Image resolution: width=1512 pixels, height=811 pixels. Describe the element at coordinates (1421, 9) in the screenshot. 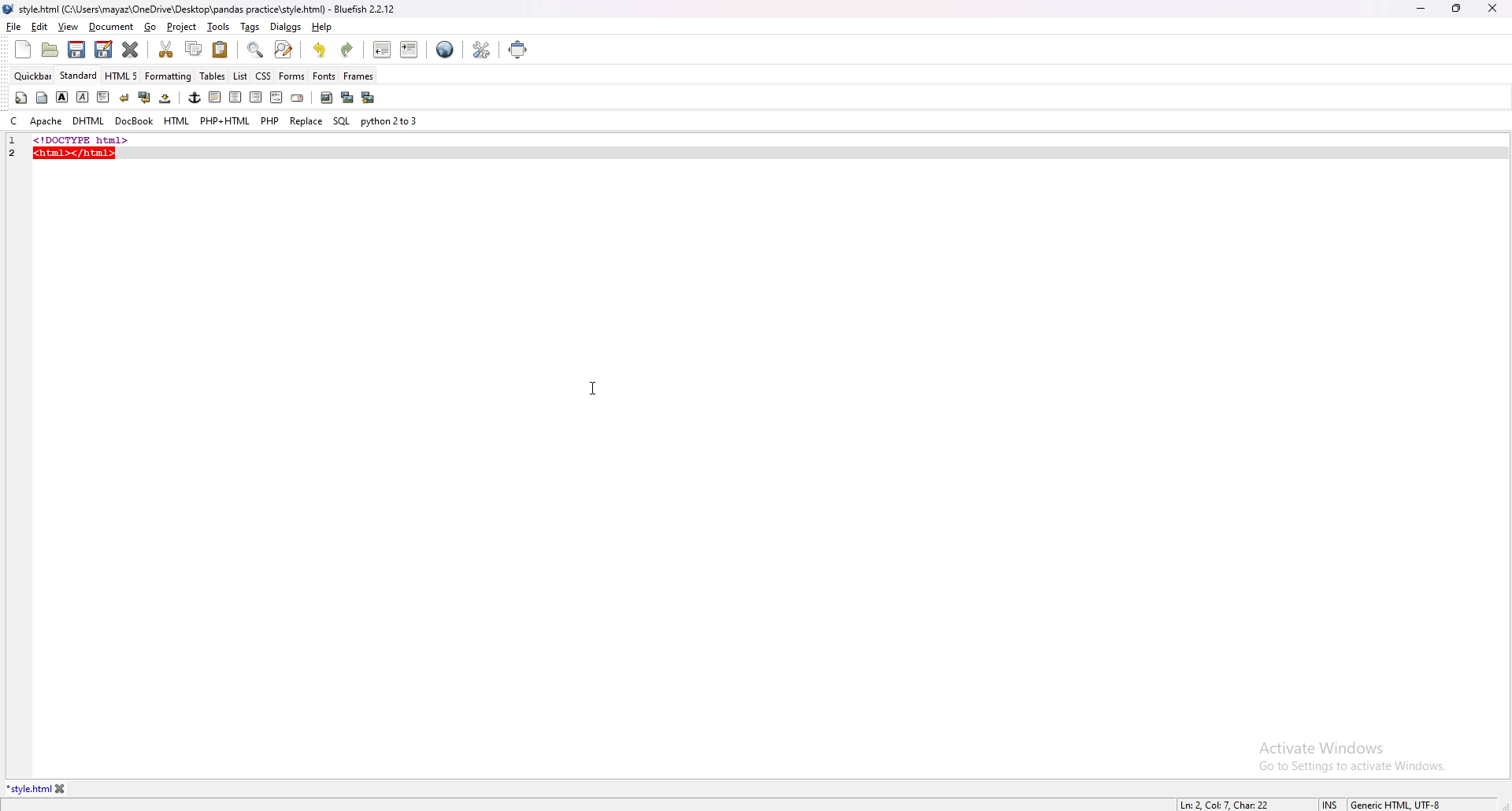

I see `minimize` at that location.